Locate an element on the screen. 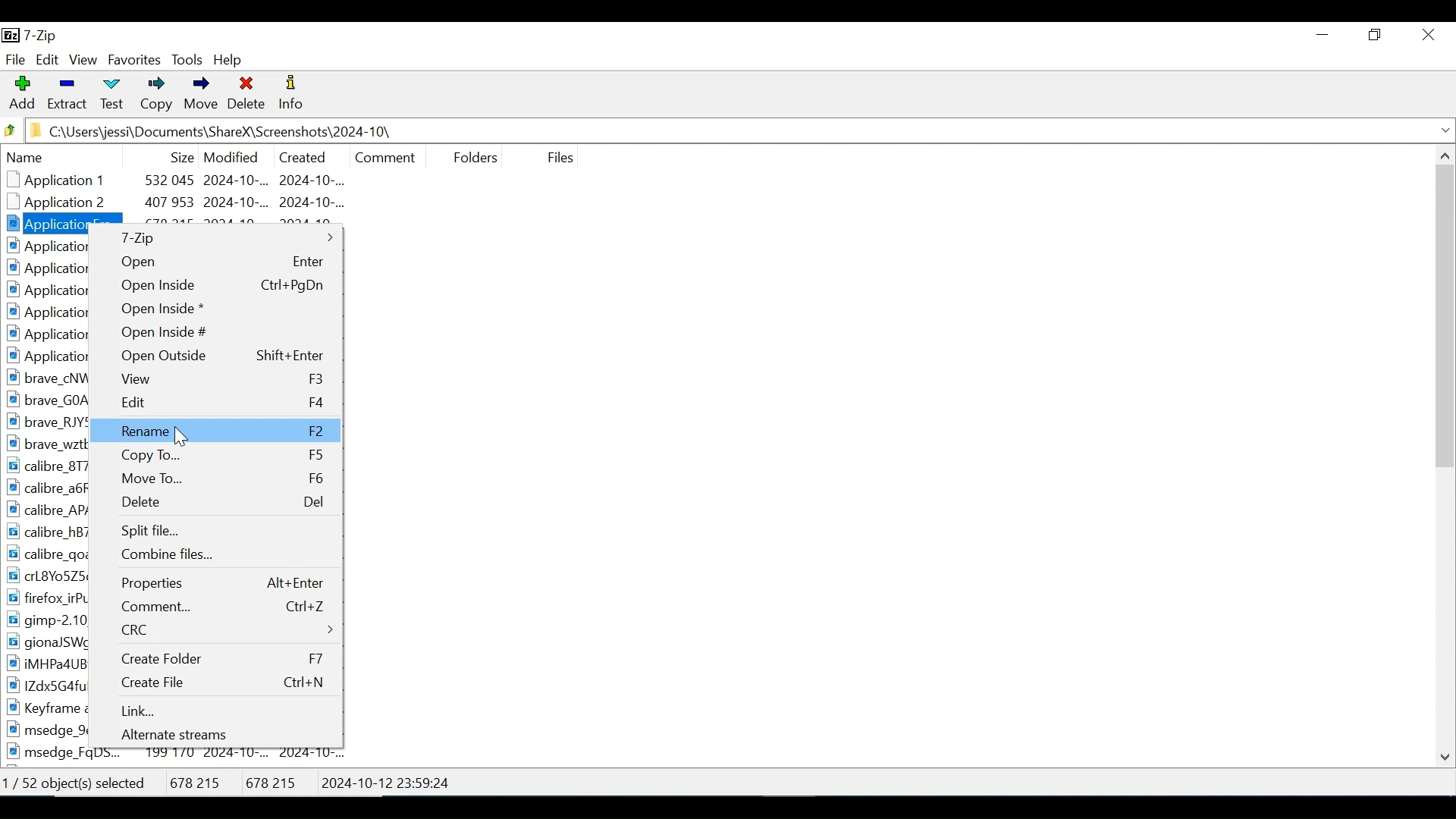 Image resolution: width=1456 pixels, height=819 pixels. Link is located at coordinates (217, 709).